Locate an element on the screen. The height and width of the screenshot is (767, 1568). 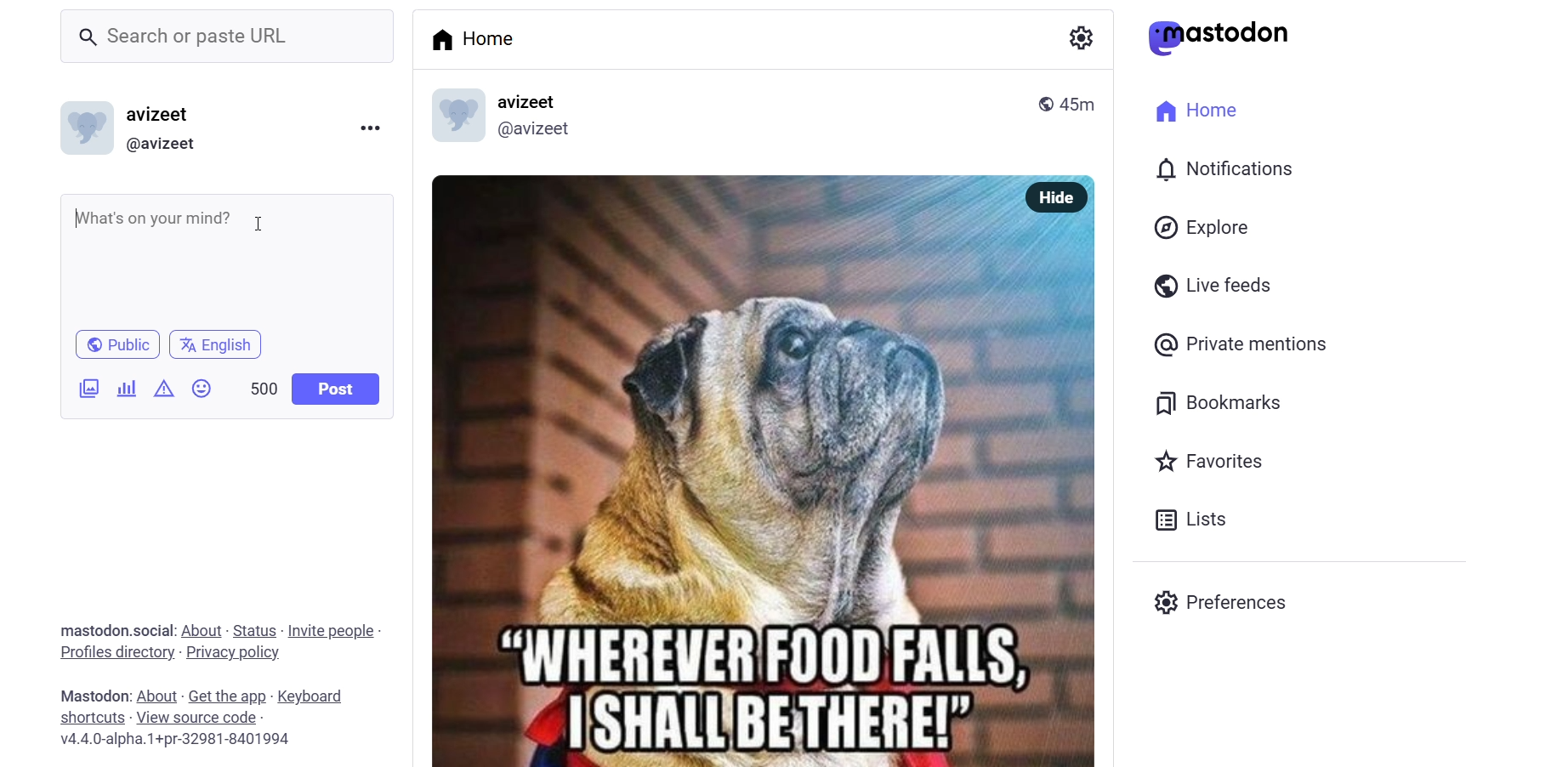
content warning is located at coordinates (162, 390).